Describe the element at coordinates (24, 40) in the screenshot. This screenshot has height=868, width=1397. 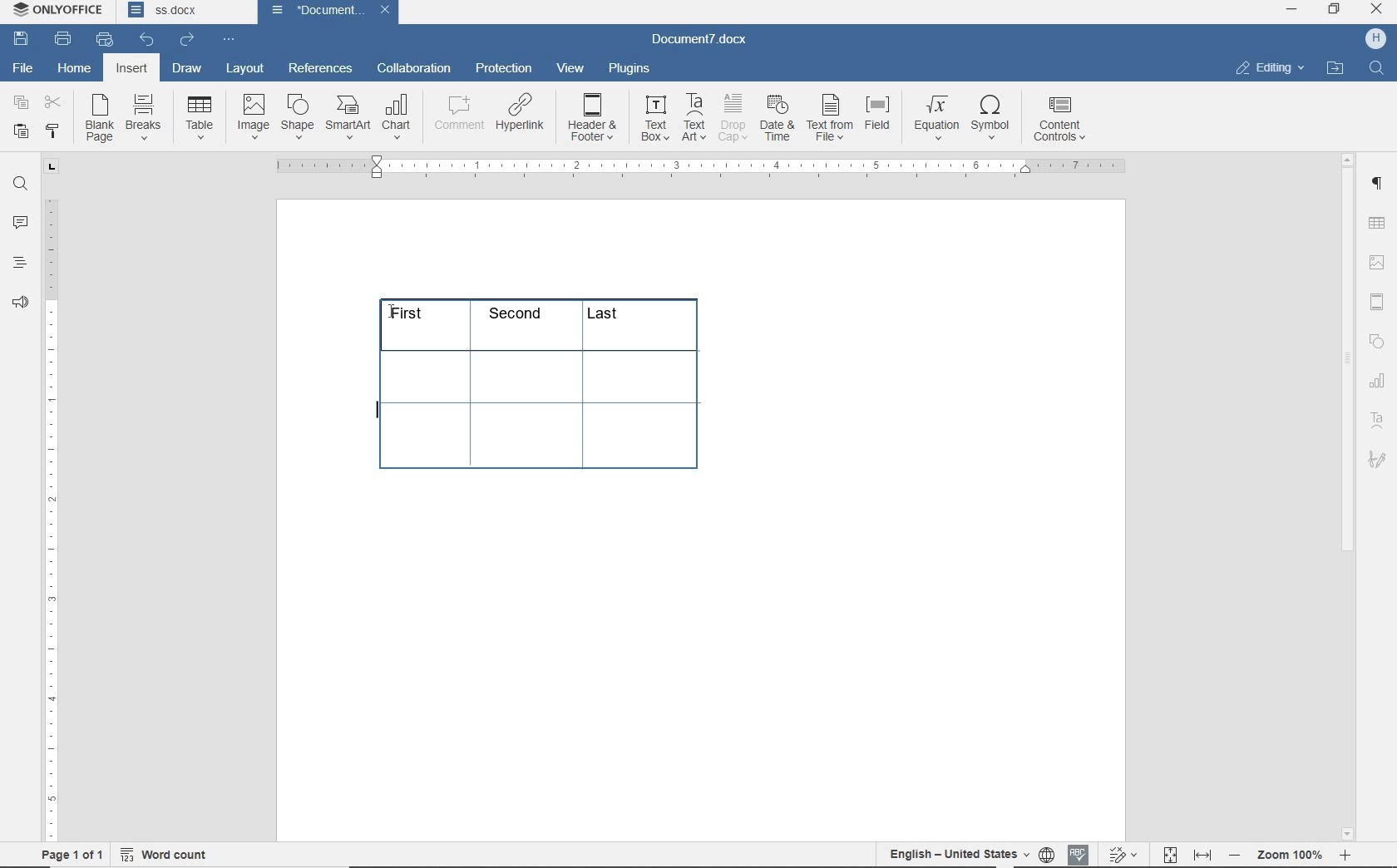
I see `save` at that location.